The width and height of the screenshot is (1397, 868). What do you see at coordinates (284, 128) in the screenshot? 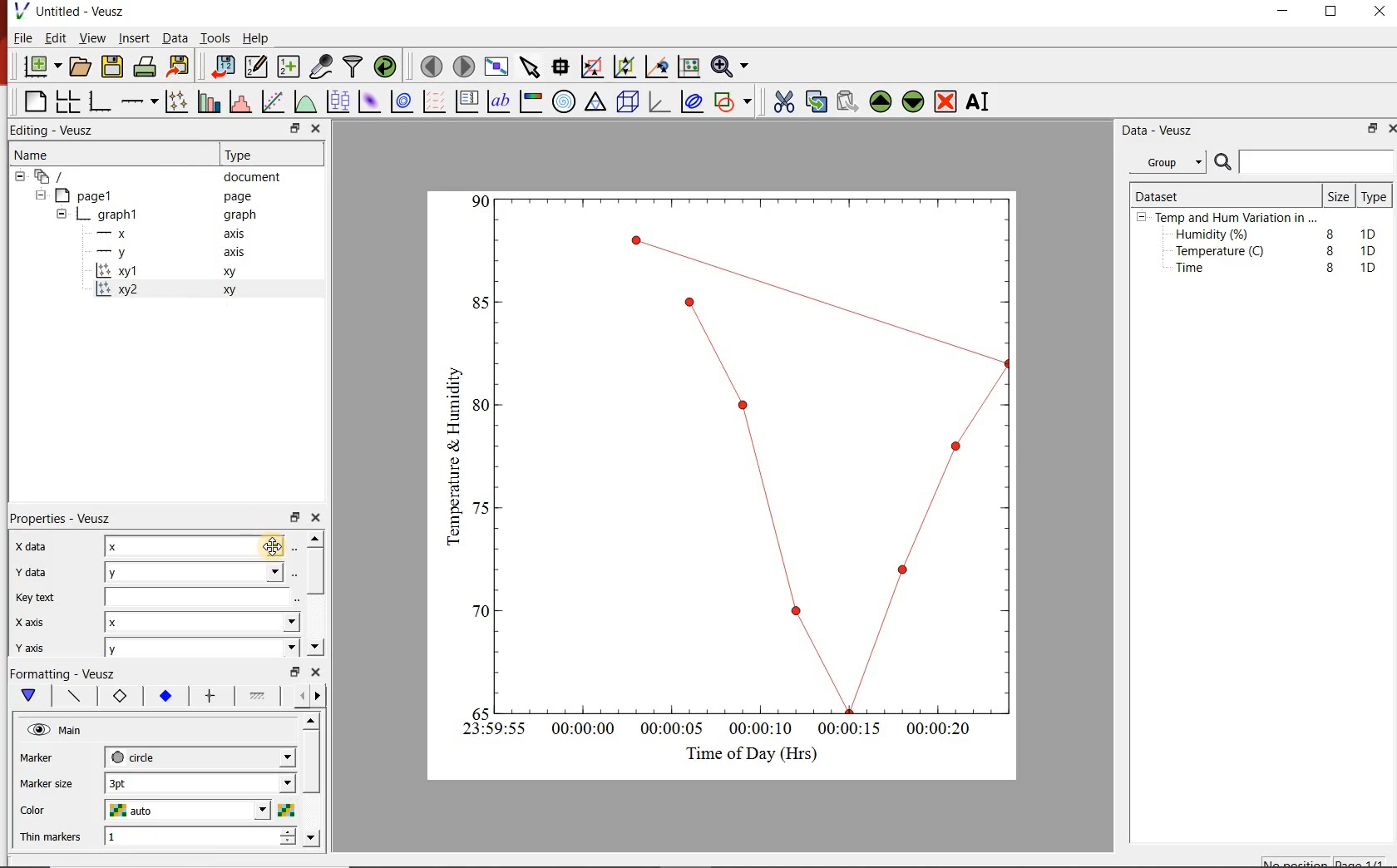
I see `restore down` at bounding box center [284, 128].